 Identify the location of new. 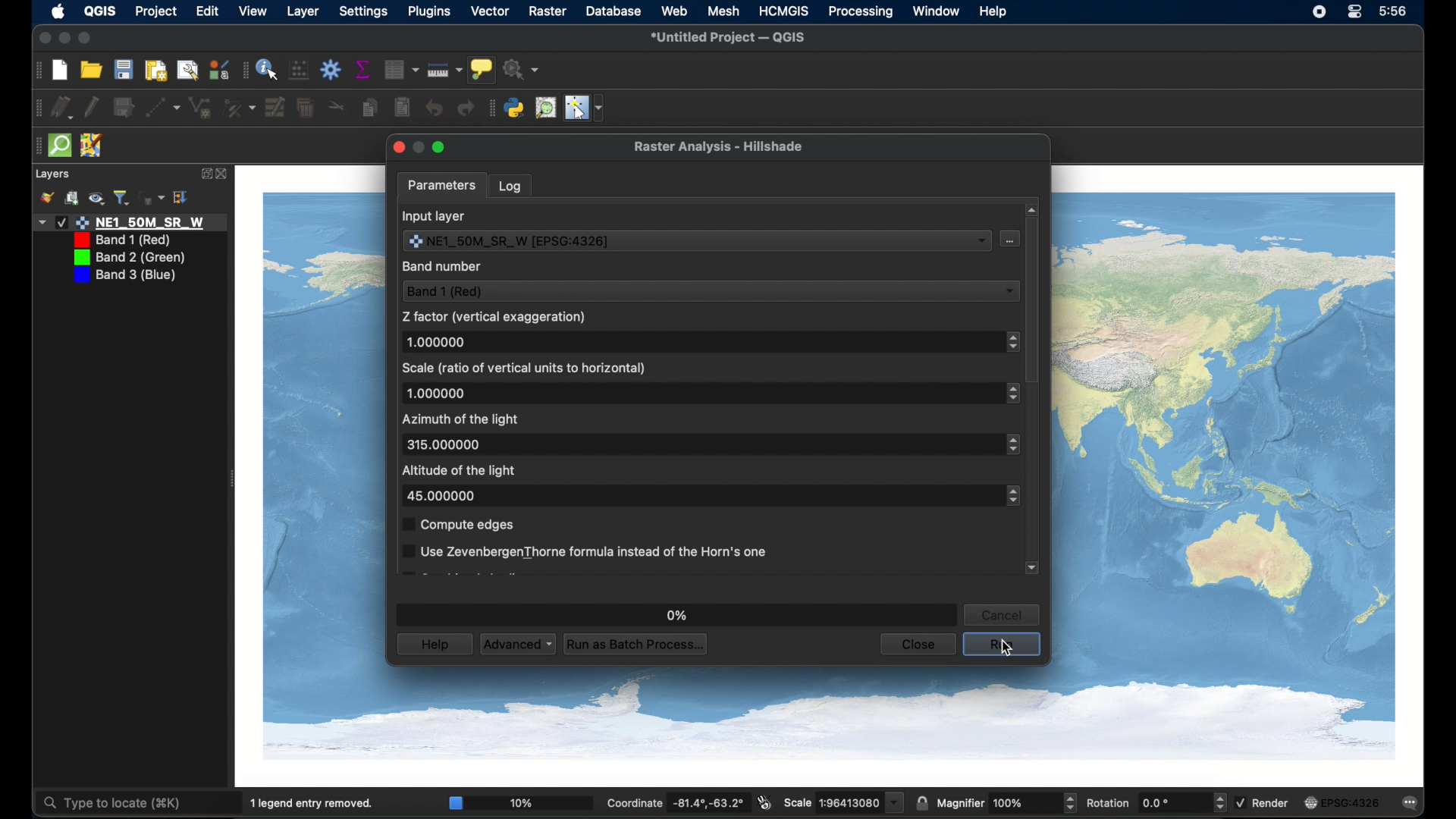
(59, 69).